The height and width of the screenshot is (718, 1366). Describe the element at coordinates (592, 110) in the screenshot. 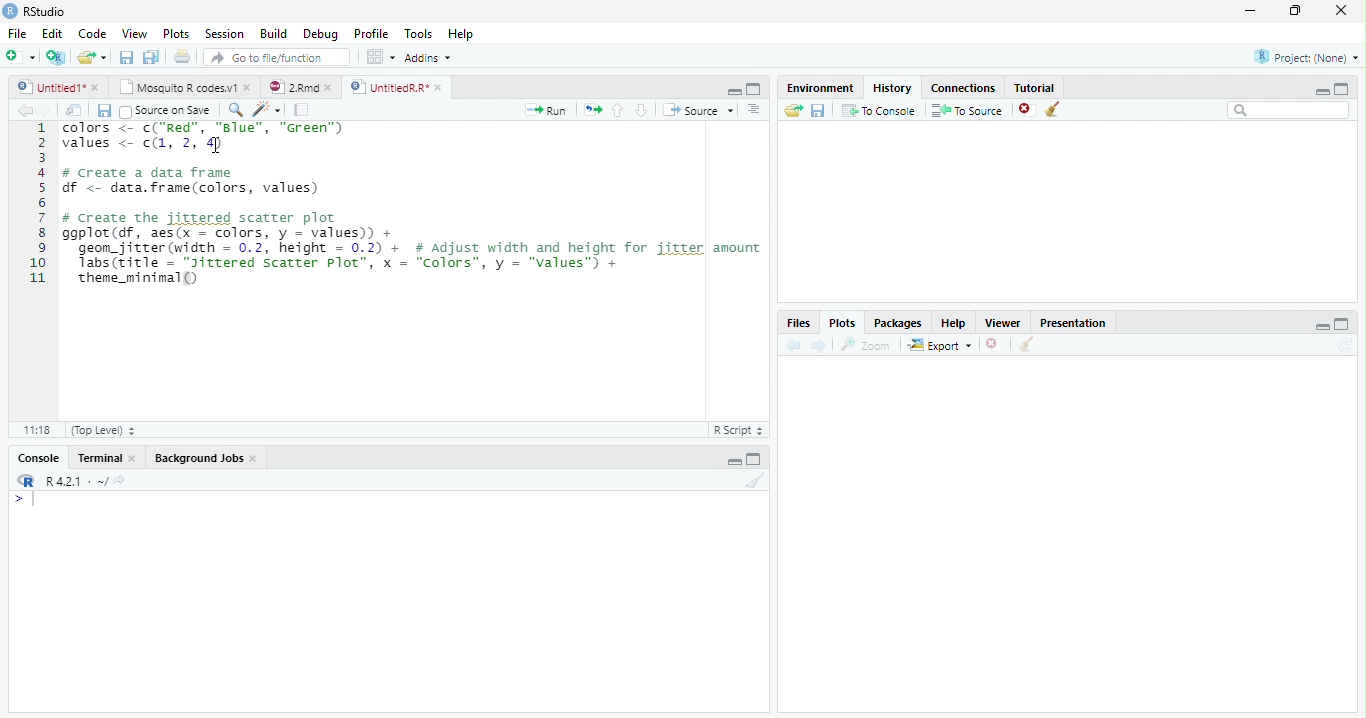

I see `Re-run the previous code region` at that location.